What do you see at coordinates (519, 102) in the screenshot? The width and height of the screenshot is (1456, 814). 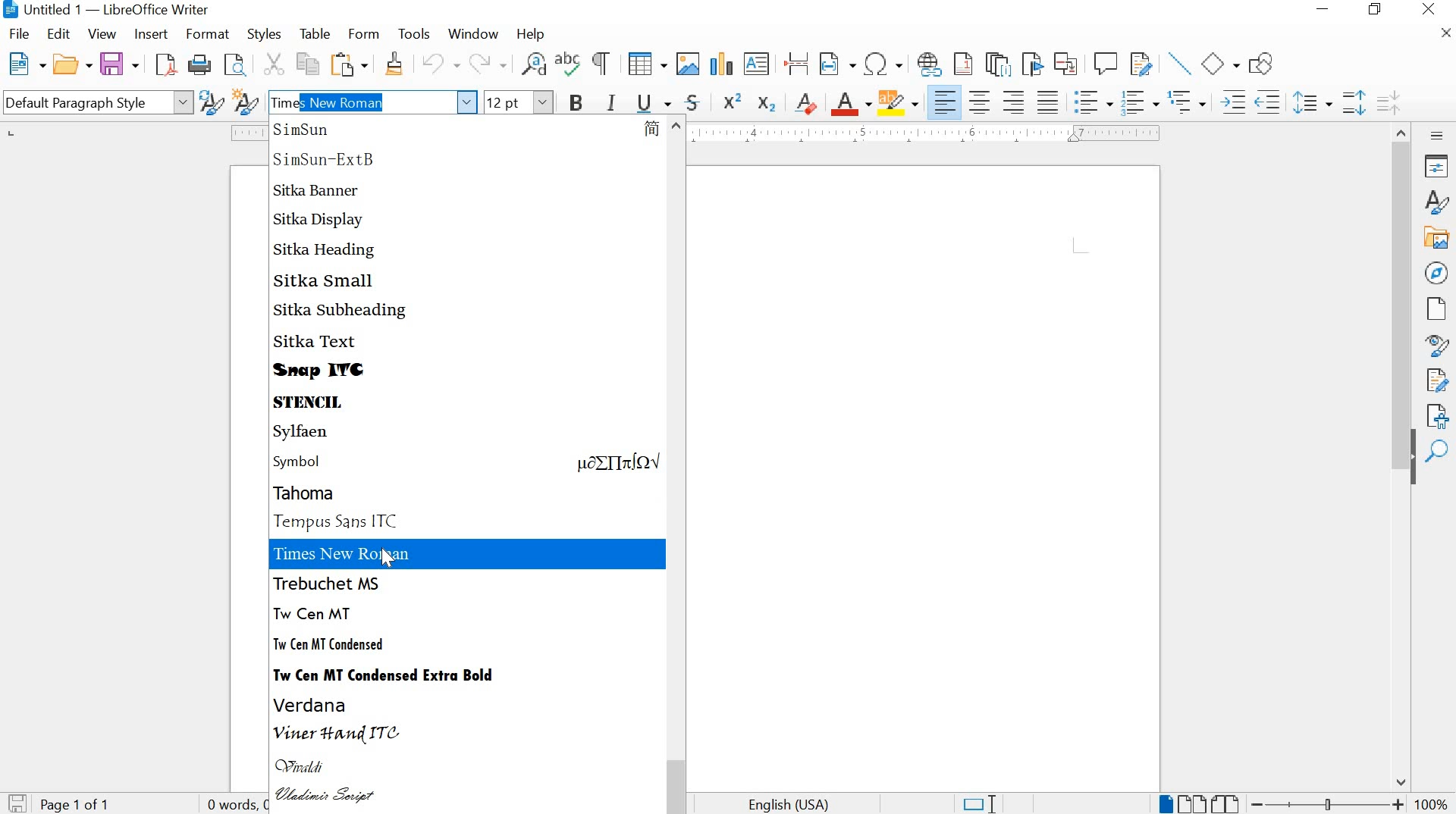 I see `FONT SIZE` at bounding box center [519, 102].